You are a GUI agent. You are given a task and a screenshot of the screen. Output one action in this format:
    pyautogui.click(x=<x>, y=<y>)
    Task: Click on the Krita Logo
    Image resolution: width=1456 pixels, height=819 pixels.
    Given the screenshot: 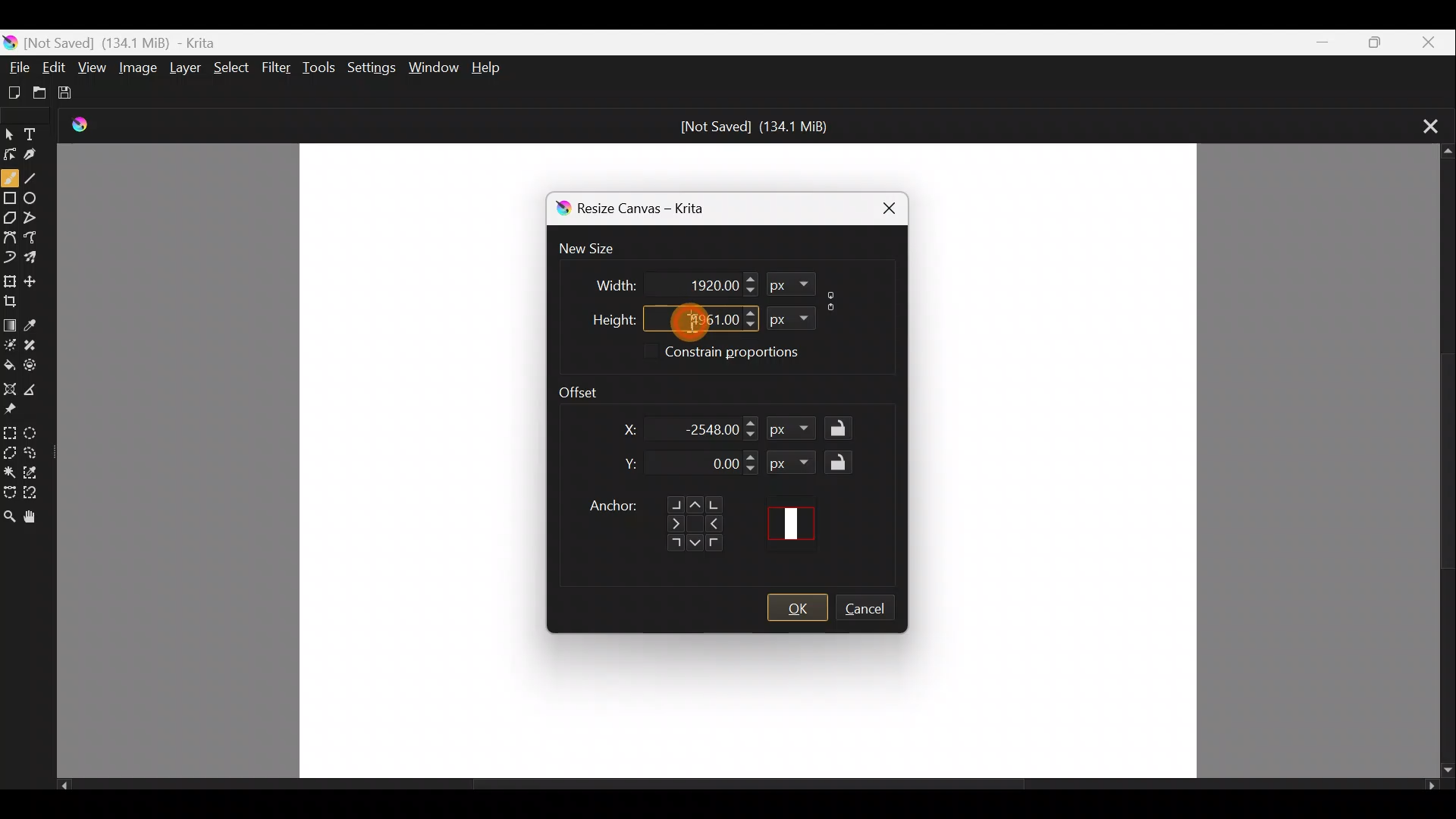 What is the action you would take?
    pyautogui.click(x=86, y=124)
    